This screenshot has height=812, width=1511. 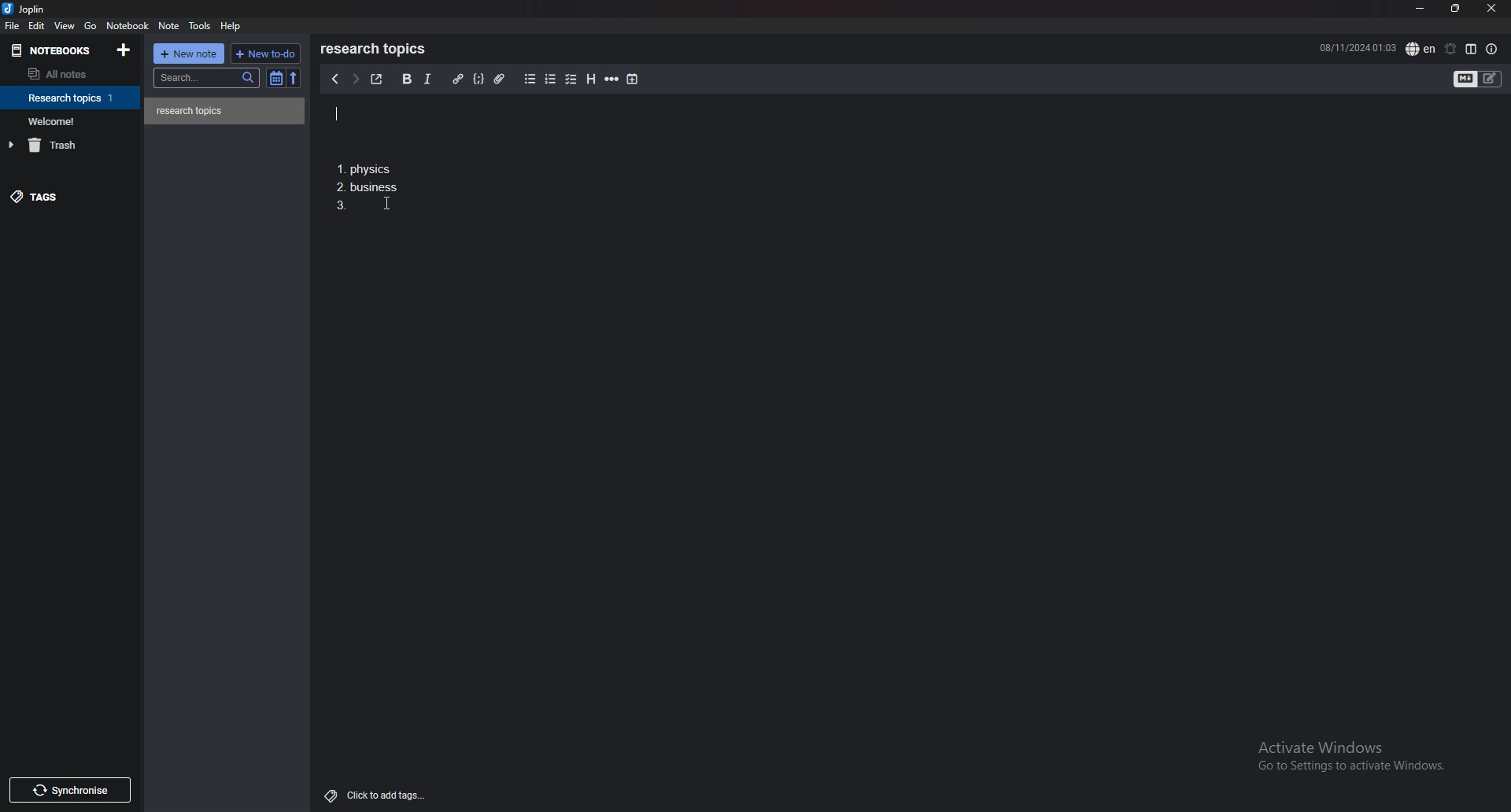 What do you see at coordinates (265, 53) in the screenshot?
I see `new todo` at bounding box center [265, 53].